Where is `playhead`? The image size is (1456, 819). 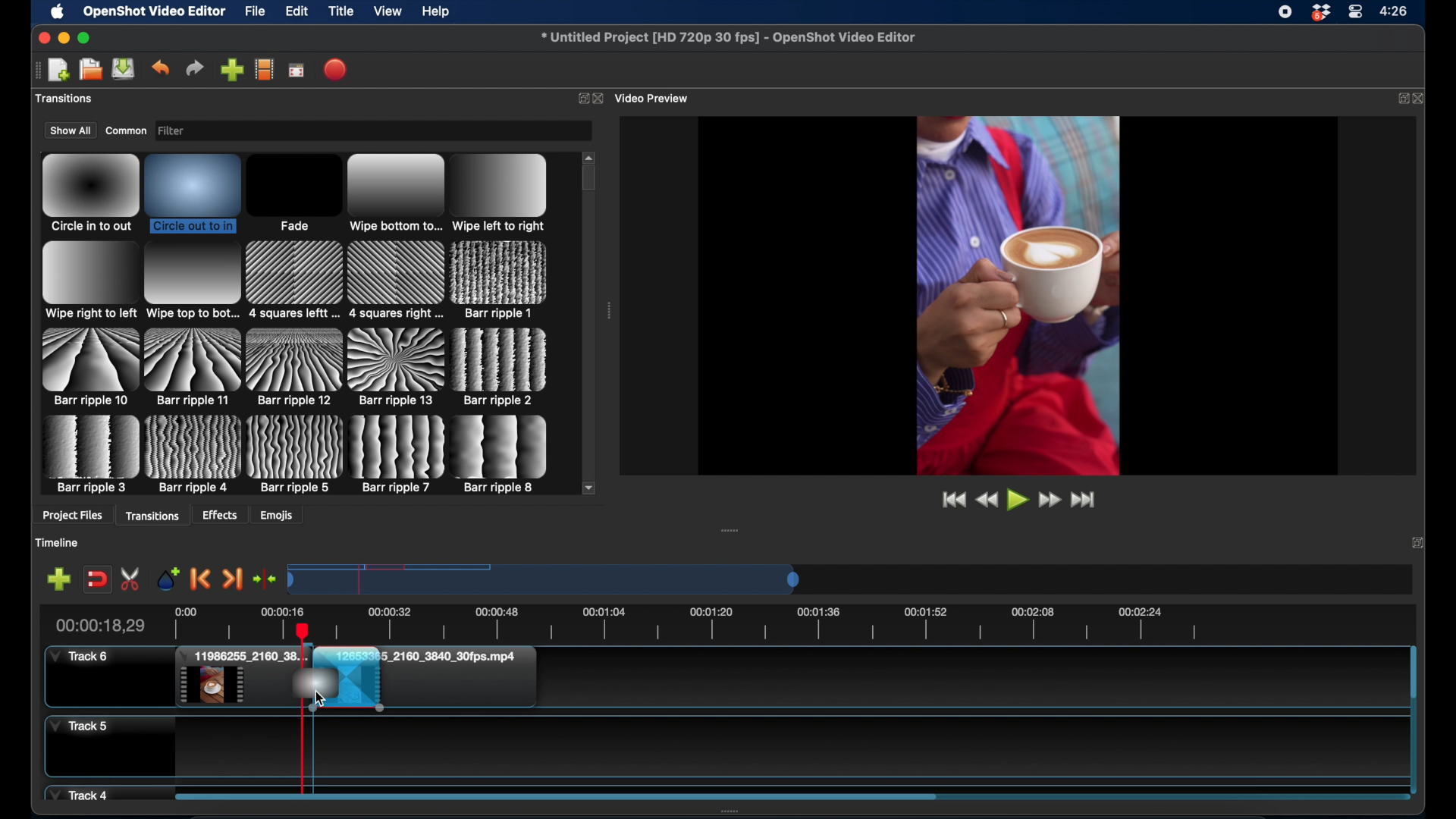
playhead is located at coordinates (303, 749).